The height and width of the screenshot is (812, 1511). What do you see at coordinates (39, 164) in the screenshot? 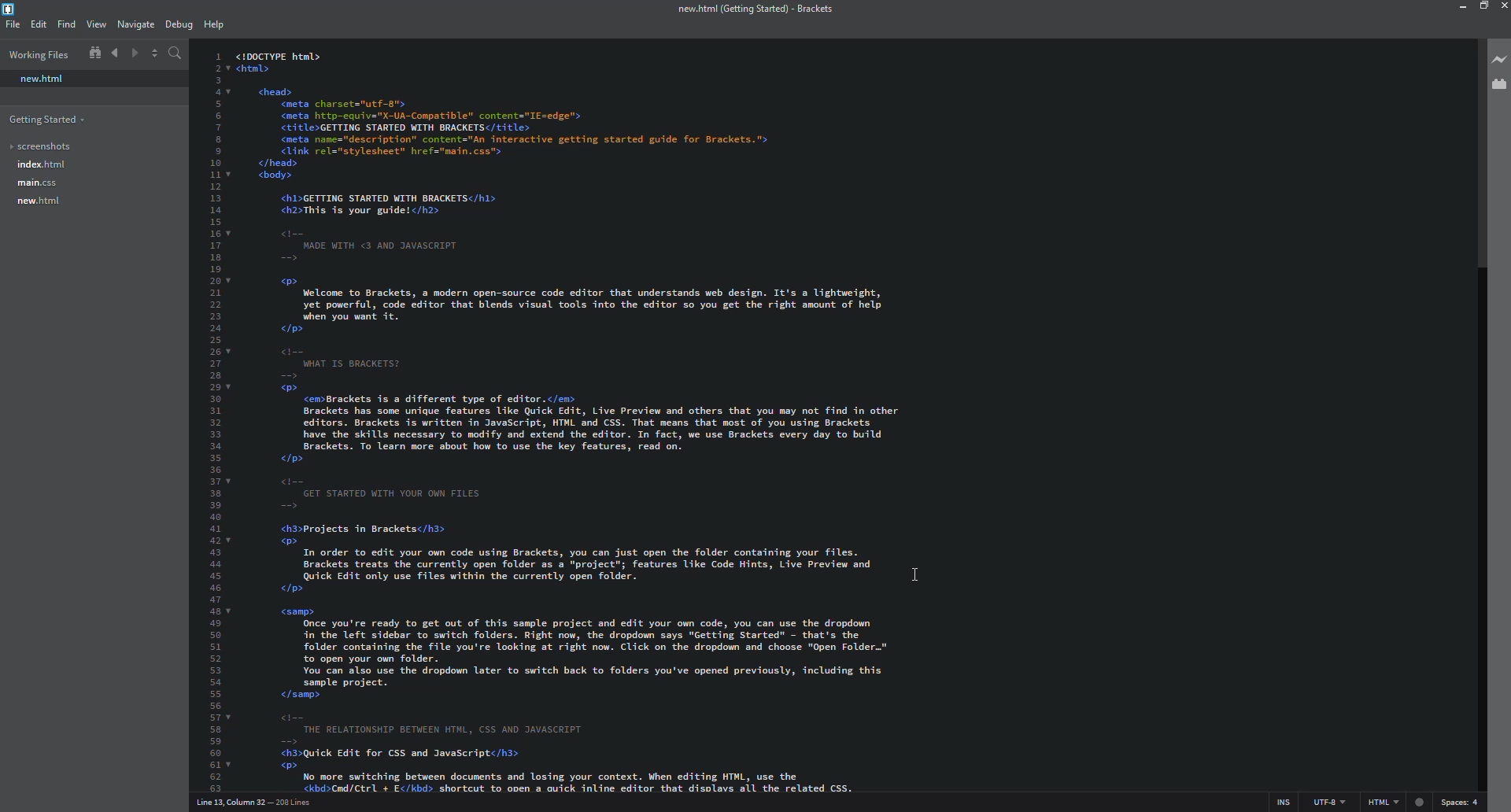
I see `index` at bounding box center [39, 164].